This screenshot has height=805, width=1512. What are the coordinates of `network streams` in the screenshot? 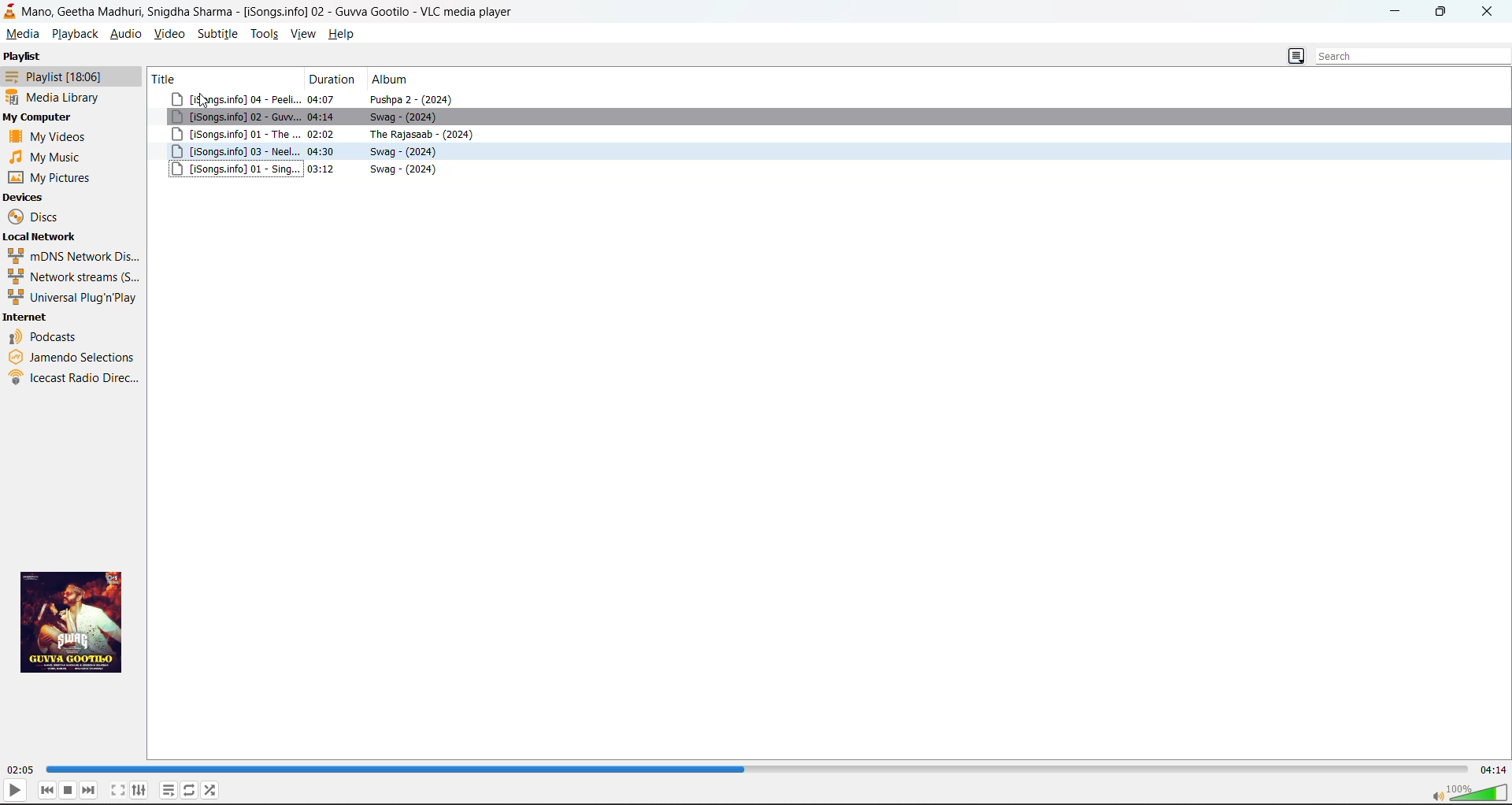 It's located at (69, 276).